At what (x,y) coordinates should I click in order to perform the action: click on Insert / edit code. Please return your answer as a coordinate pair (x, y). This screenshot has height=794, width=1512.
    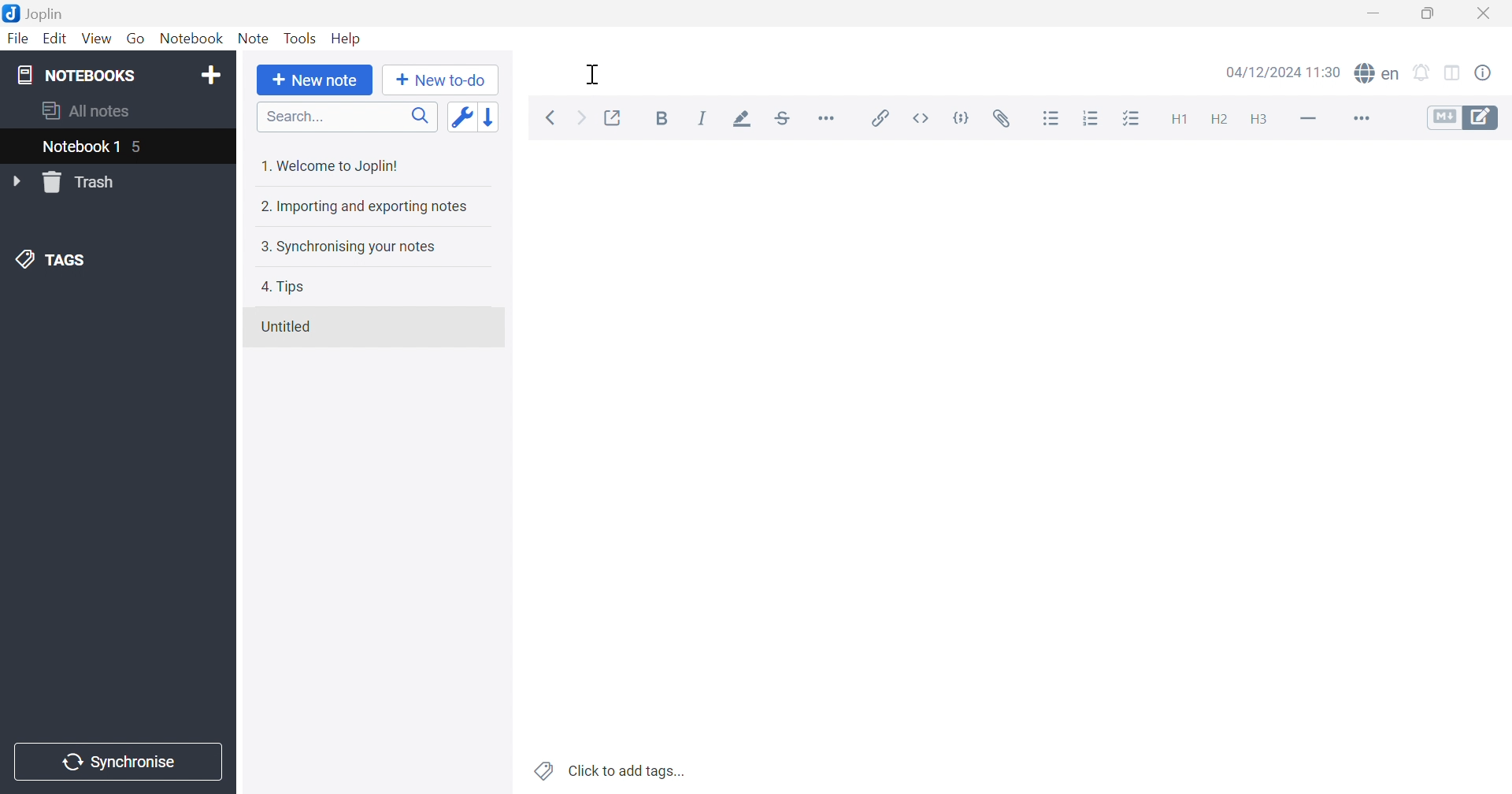
    Looking at the image, I should click on (877, 118).